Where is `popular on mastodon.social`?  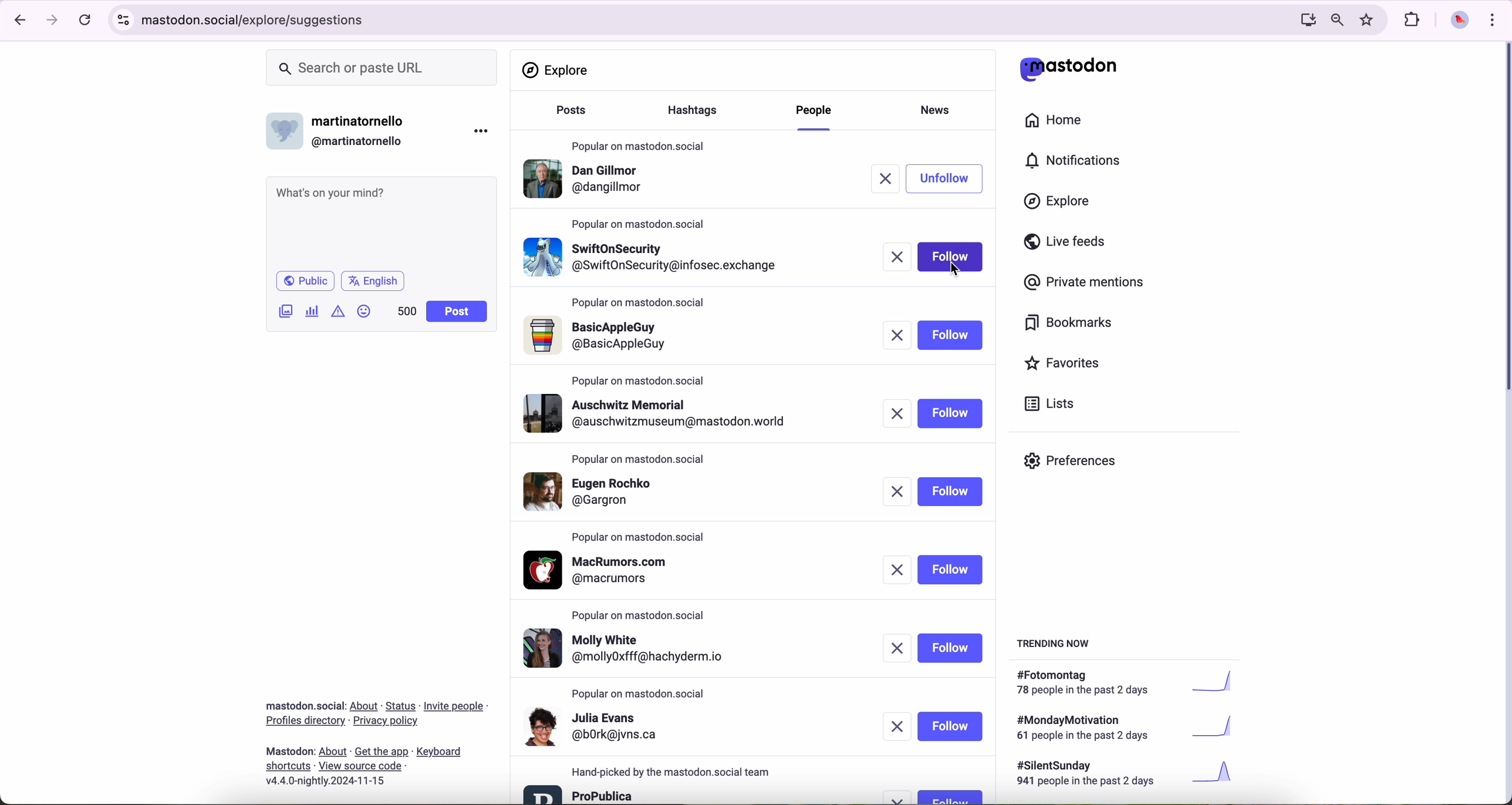 popular on mastodon.social is located at coordinates (637, 457).